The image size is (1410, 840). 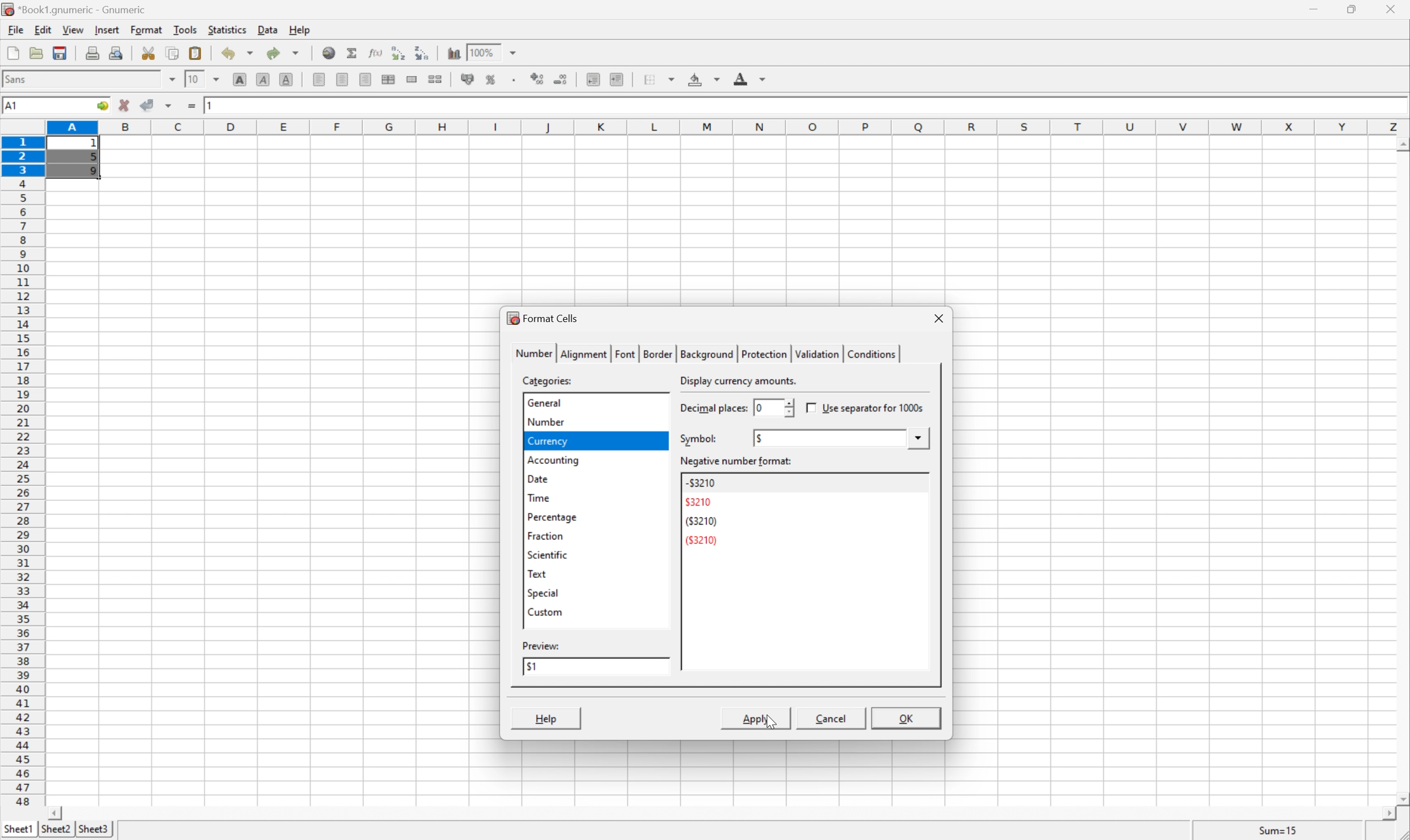 I want to click on background, so click(x=704, y=78).